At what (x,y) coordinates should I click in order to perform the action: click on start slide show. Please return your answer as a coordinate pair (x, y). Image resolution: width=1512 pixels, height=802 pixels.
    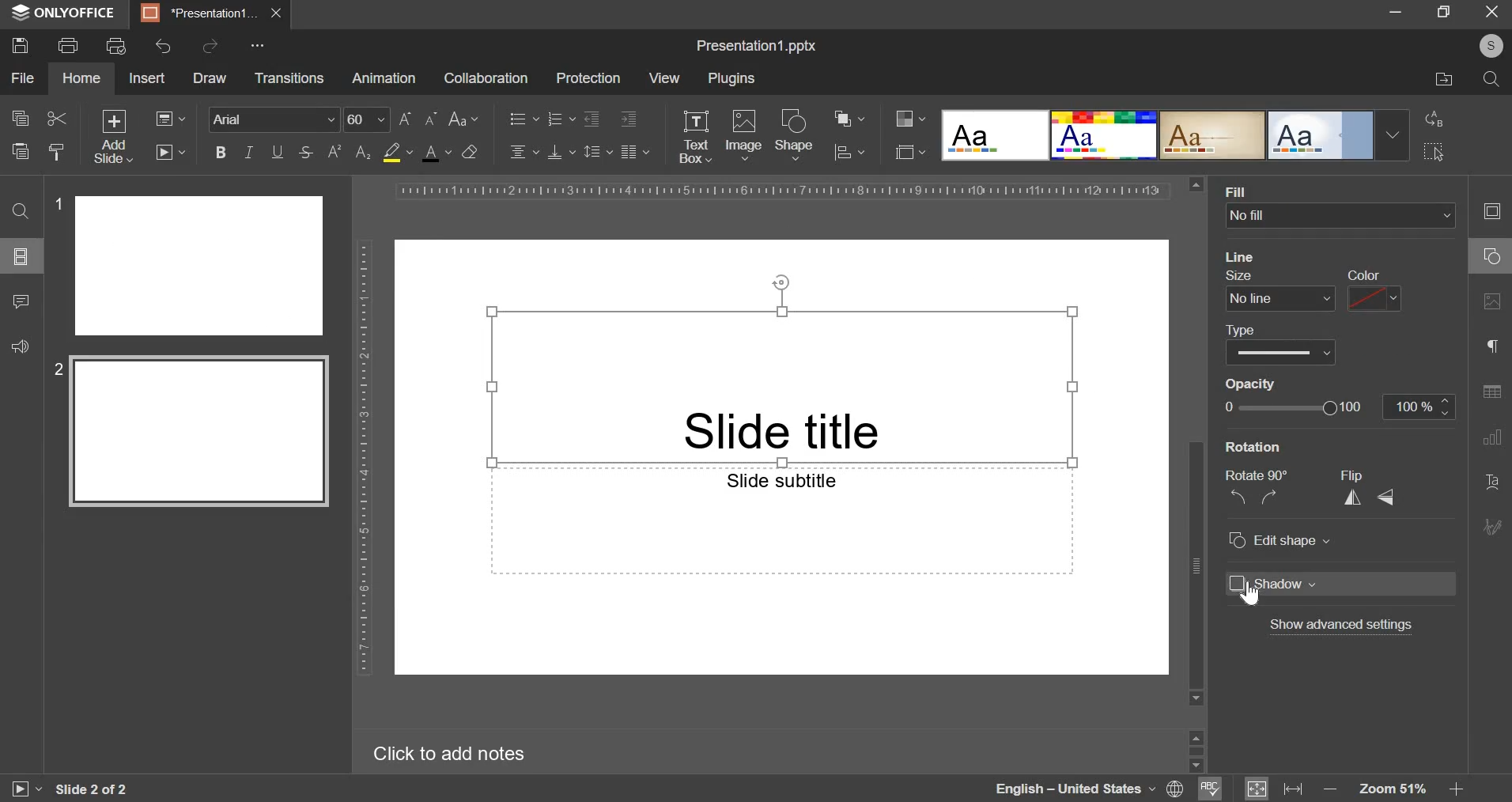
    Looking at the image, I should click on (19, 791).